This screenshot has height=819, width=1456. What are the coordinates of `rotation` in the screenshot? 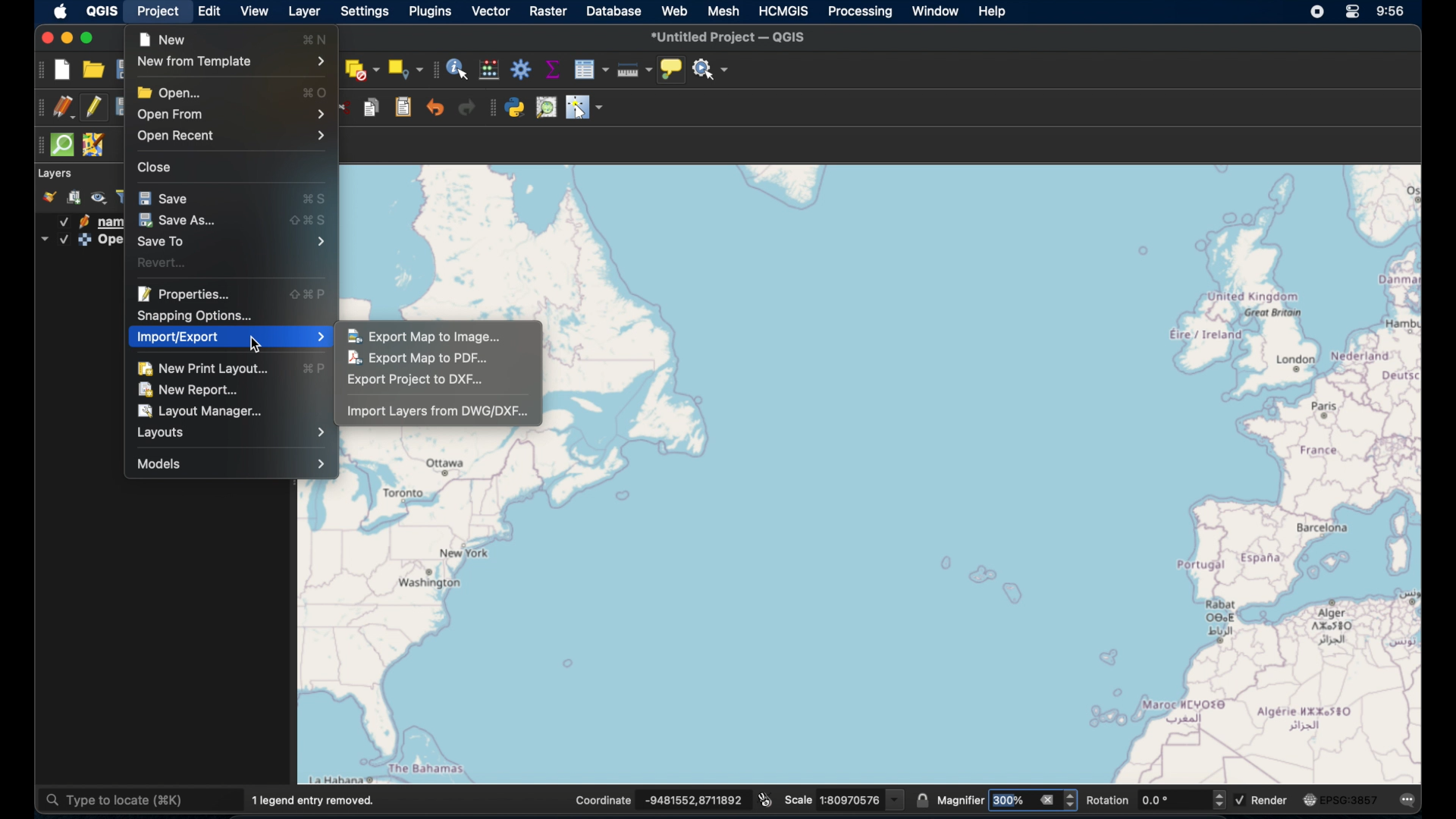 It's located at (1154, 800).